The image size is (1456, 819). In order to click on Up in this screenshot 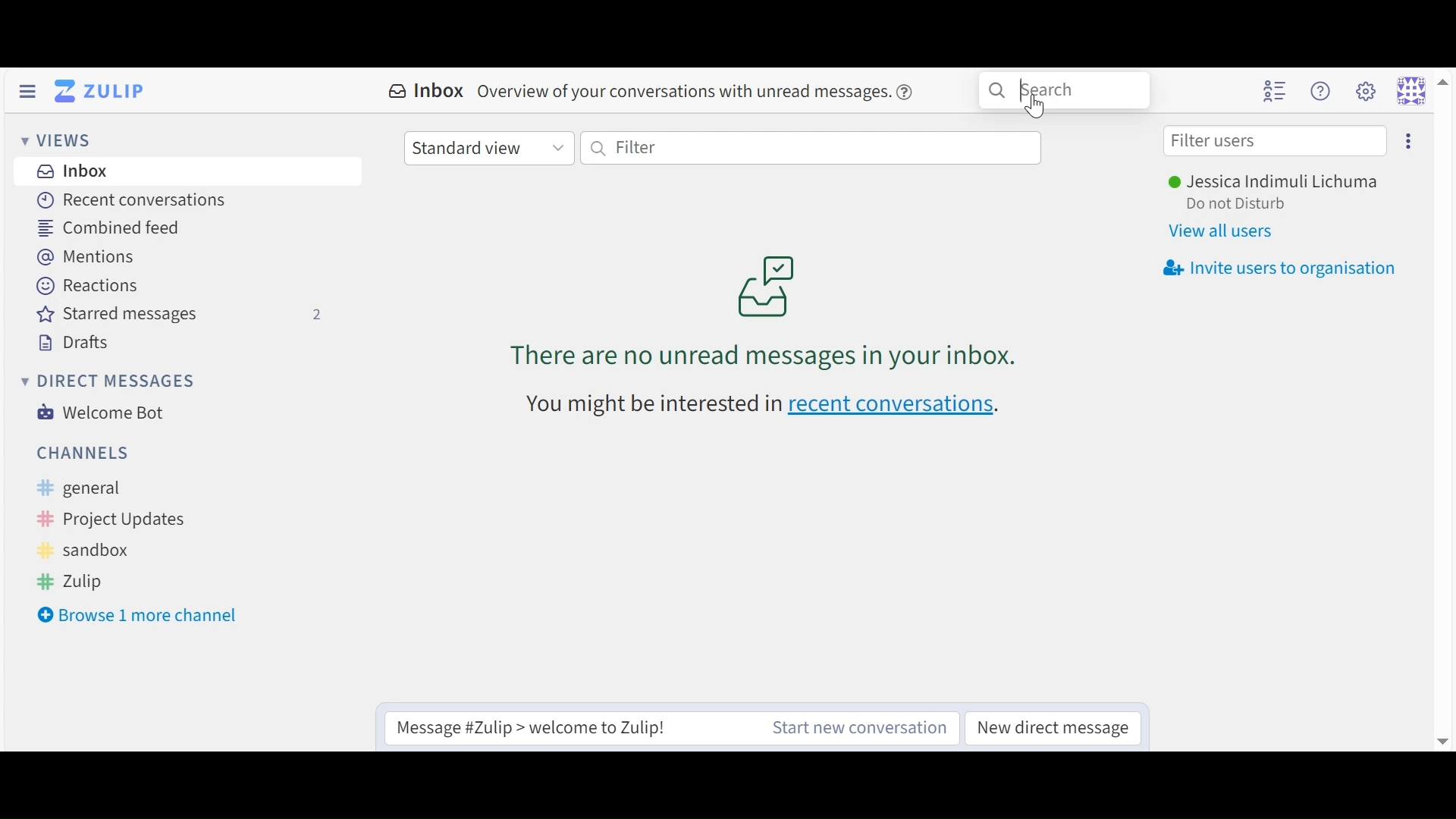, I will do `click(1441, 89)`.